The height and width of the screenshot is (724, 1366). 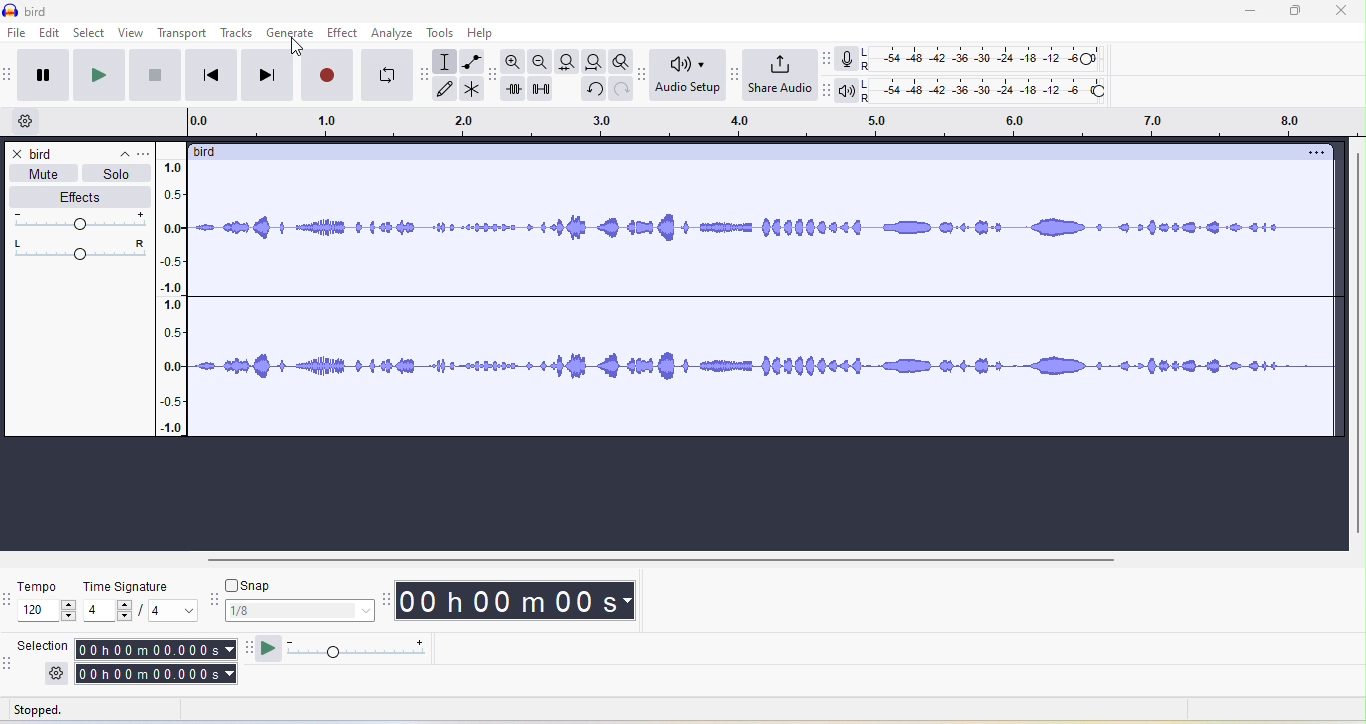 I want to click on close, so click(x=1344, y=12).